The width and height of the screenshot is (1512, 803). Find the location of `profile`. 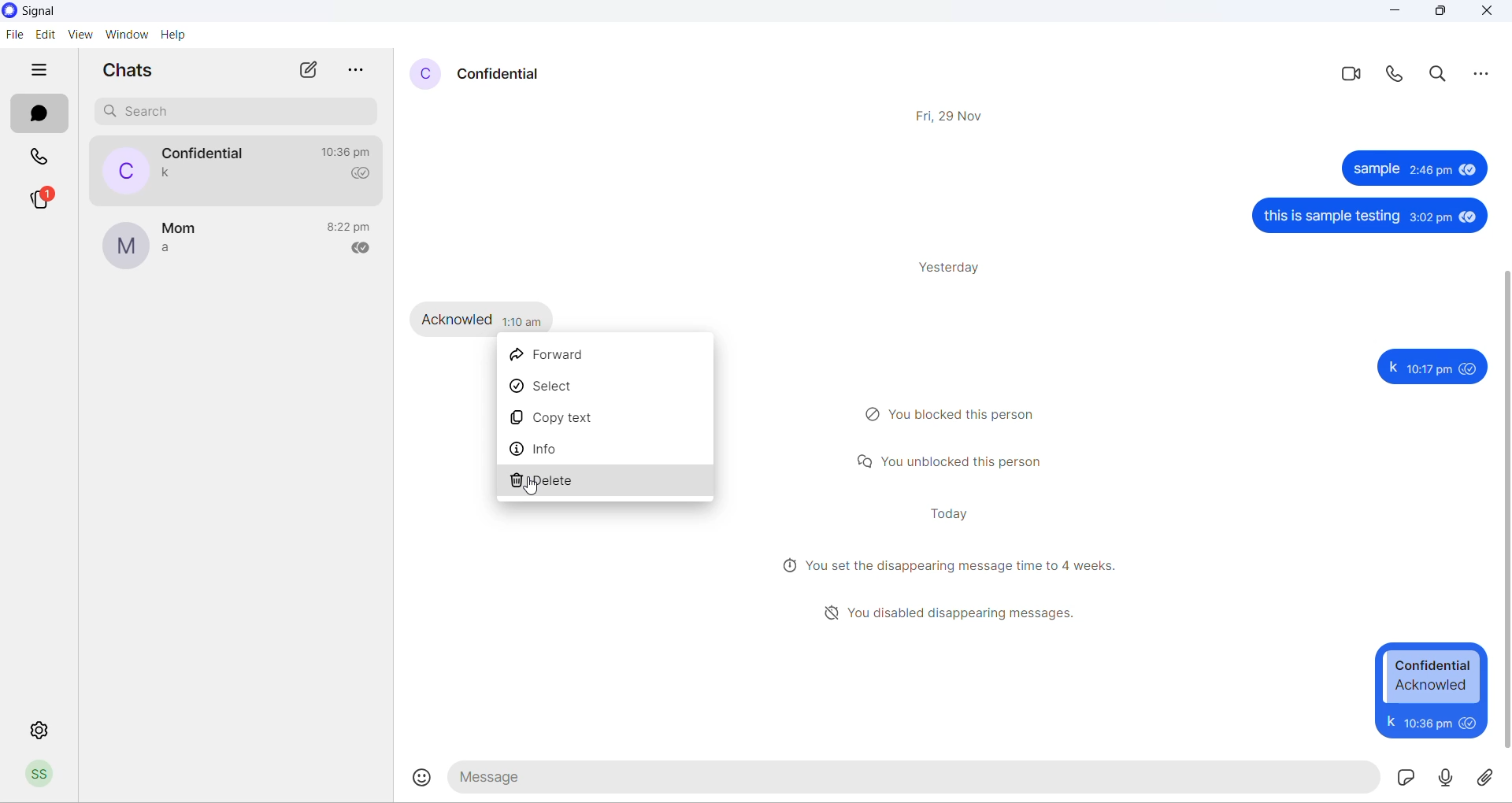

profile is located at coordinates (50, 775).